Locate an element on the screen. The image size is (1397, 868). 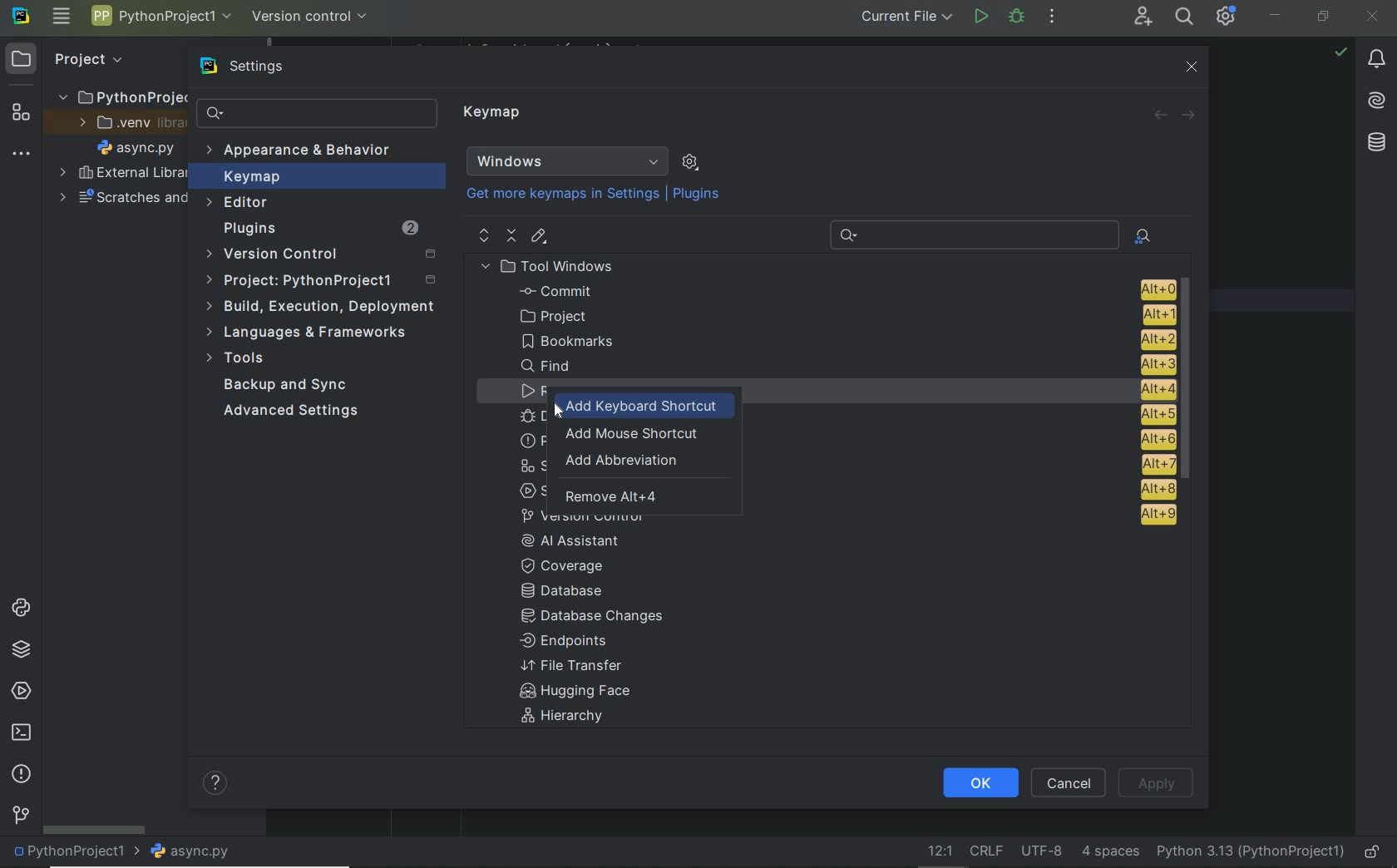
Keymap is located at coordinates (495, 115).